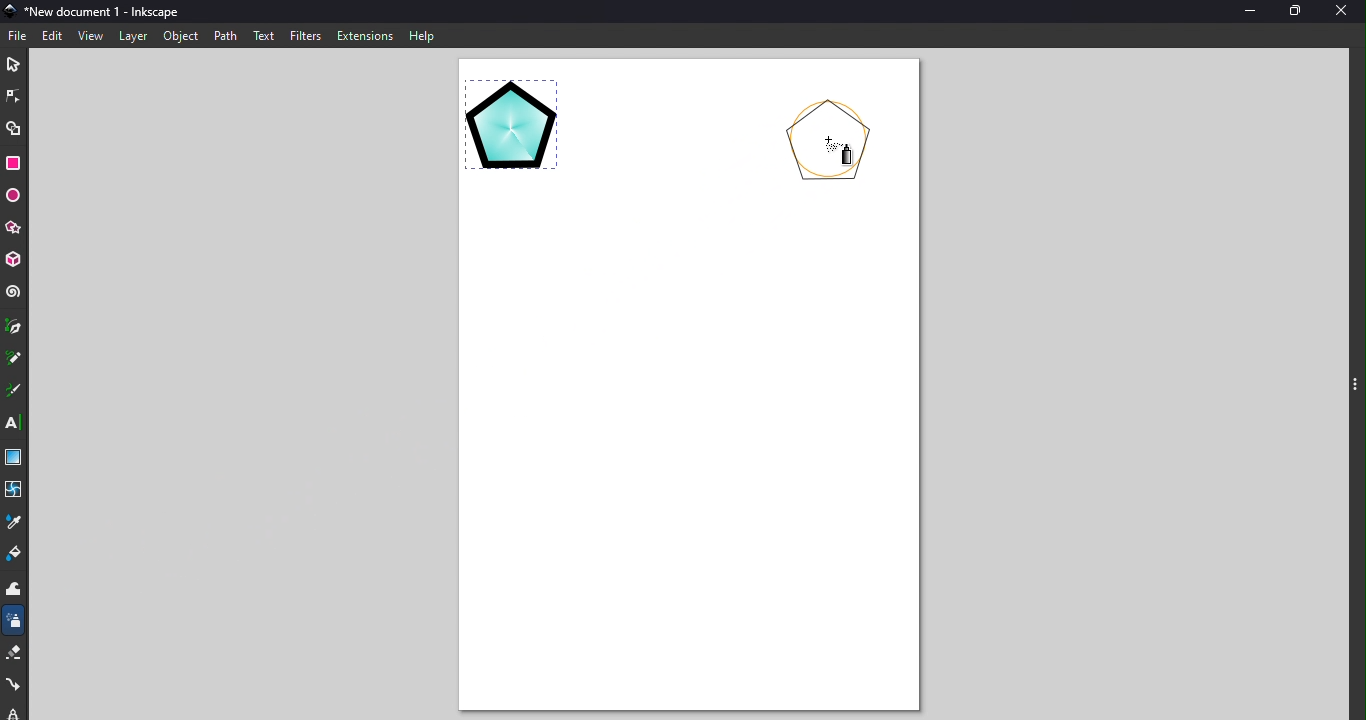 The width and height of the screenshot is (1366, 720). Describe the element at coordinates (265, 34) in the screenshot. I see `Text` at that location.